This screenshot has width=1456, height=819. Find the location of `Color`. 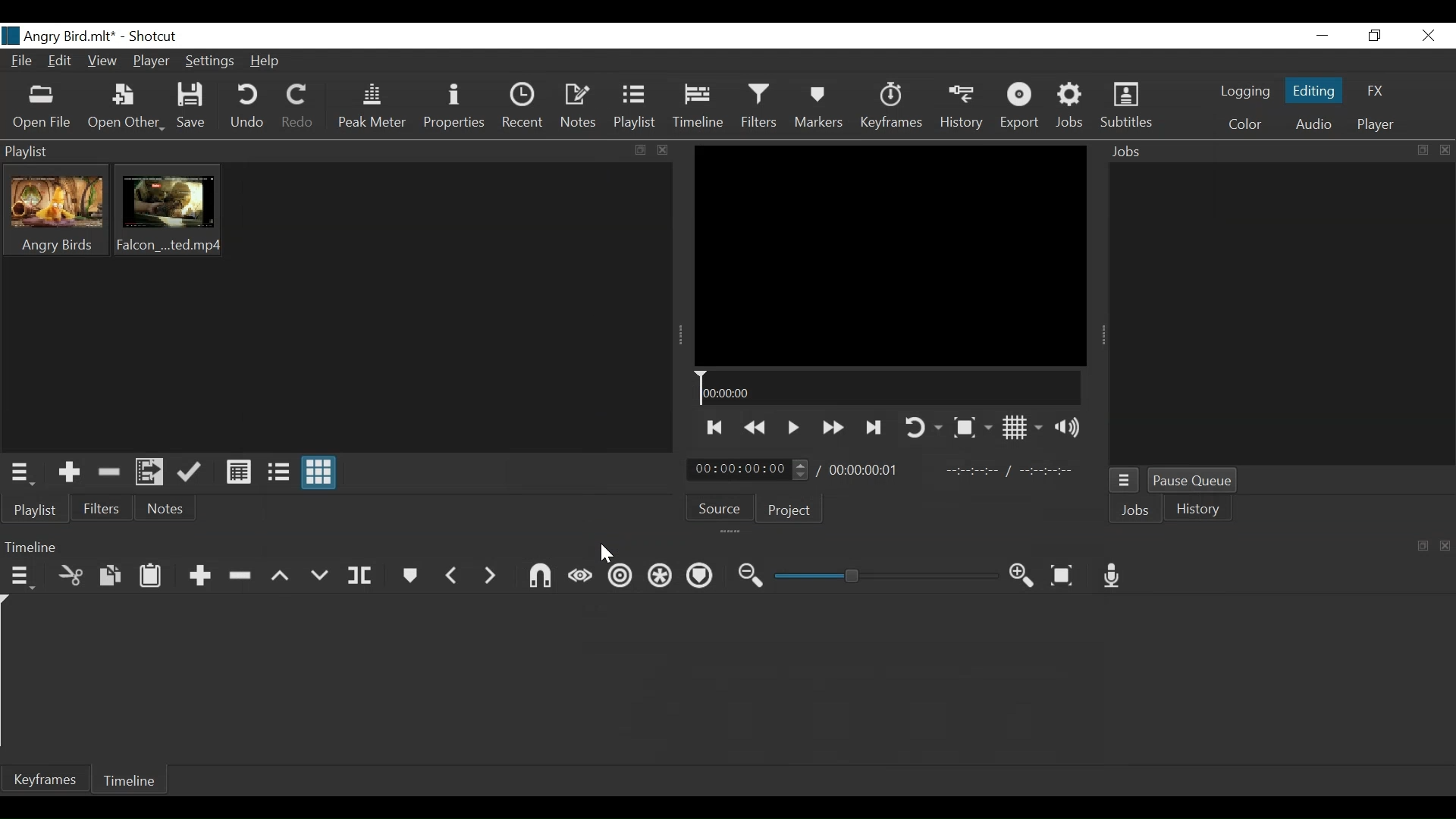

Color is located at coordinates (1245, 124).